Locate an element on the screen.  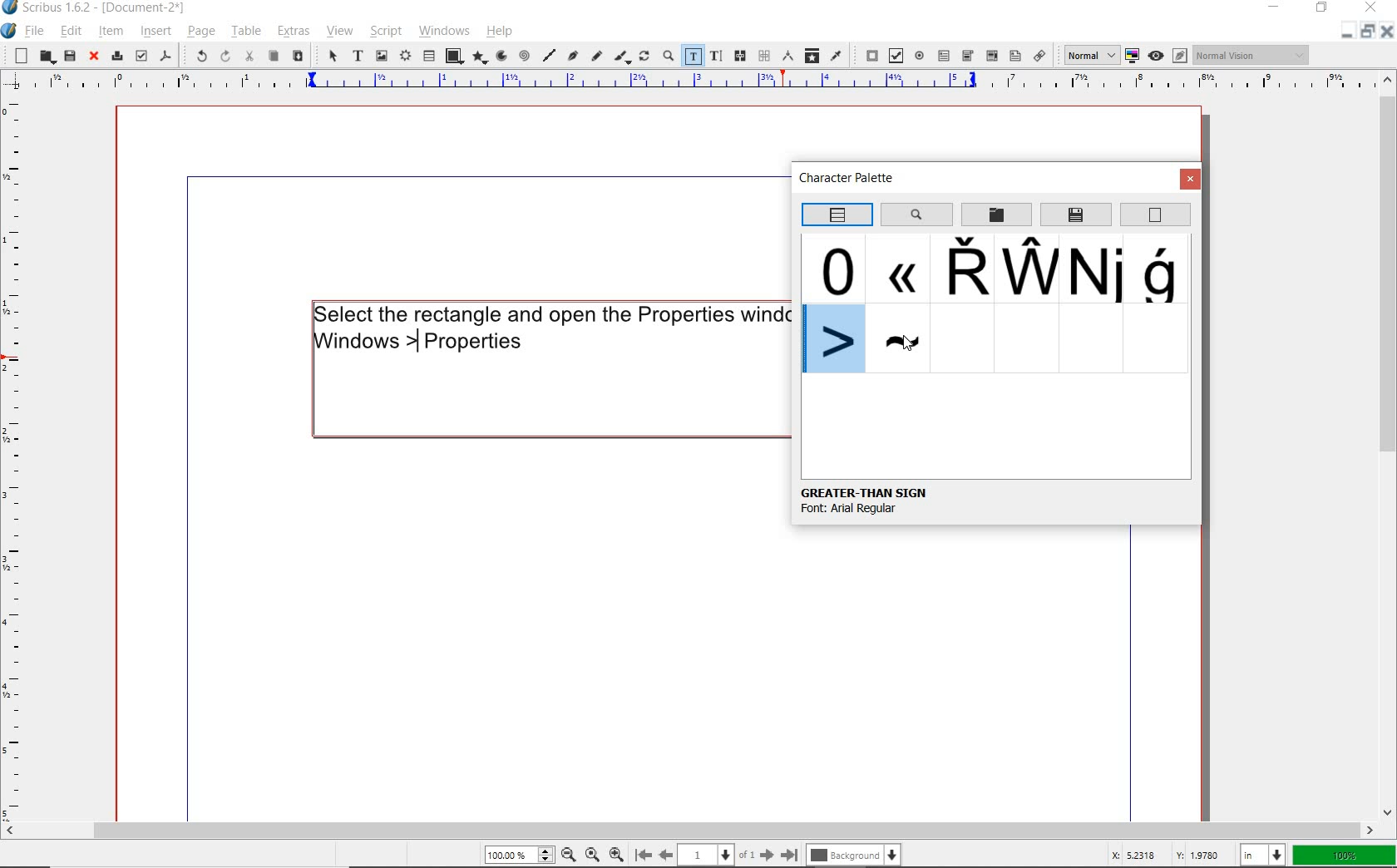
zoom in or zoom out is located at coordinates (666, 57).